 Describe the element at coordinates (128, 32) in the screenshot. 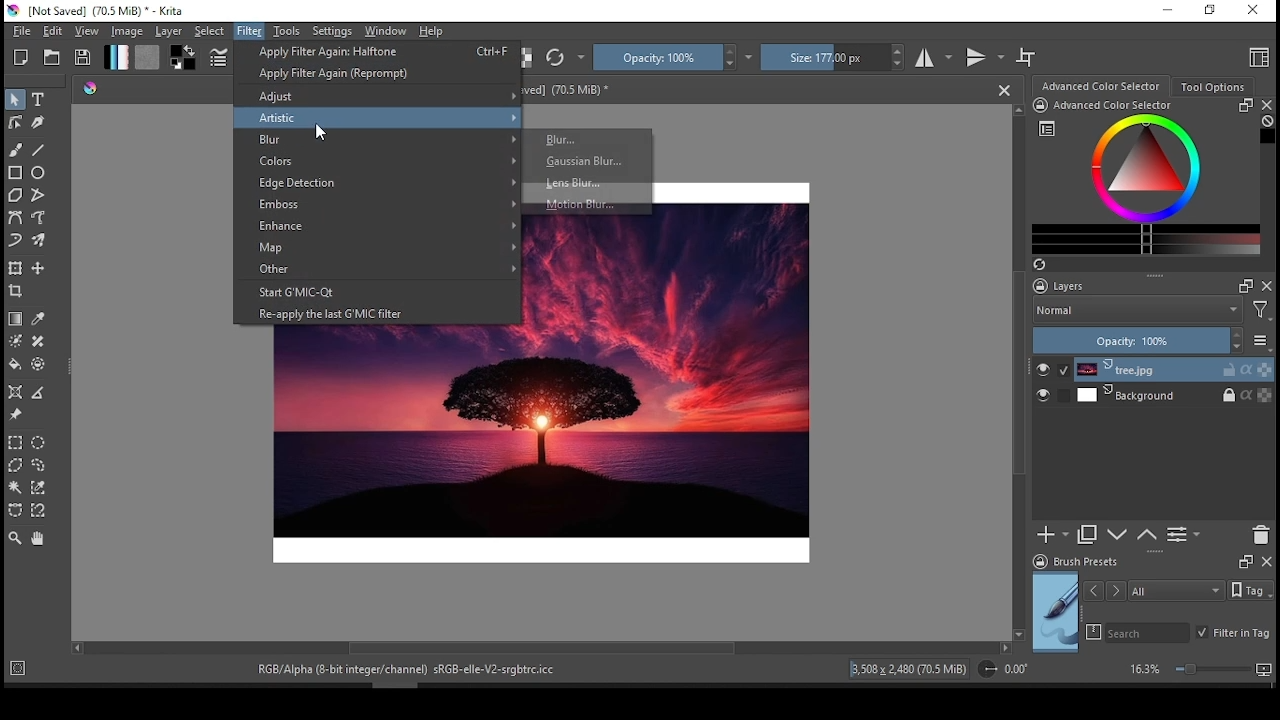

I see `image` at that location.